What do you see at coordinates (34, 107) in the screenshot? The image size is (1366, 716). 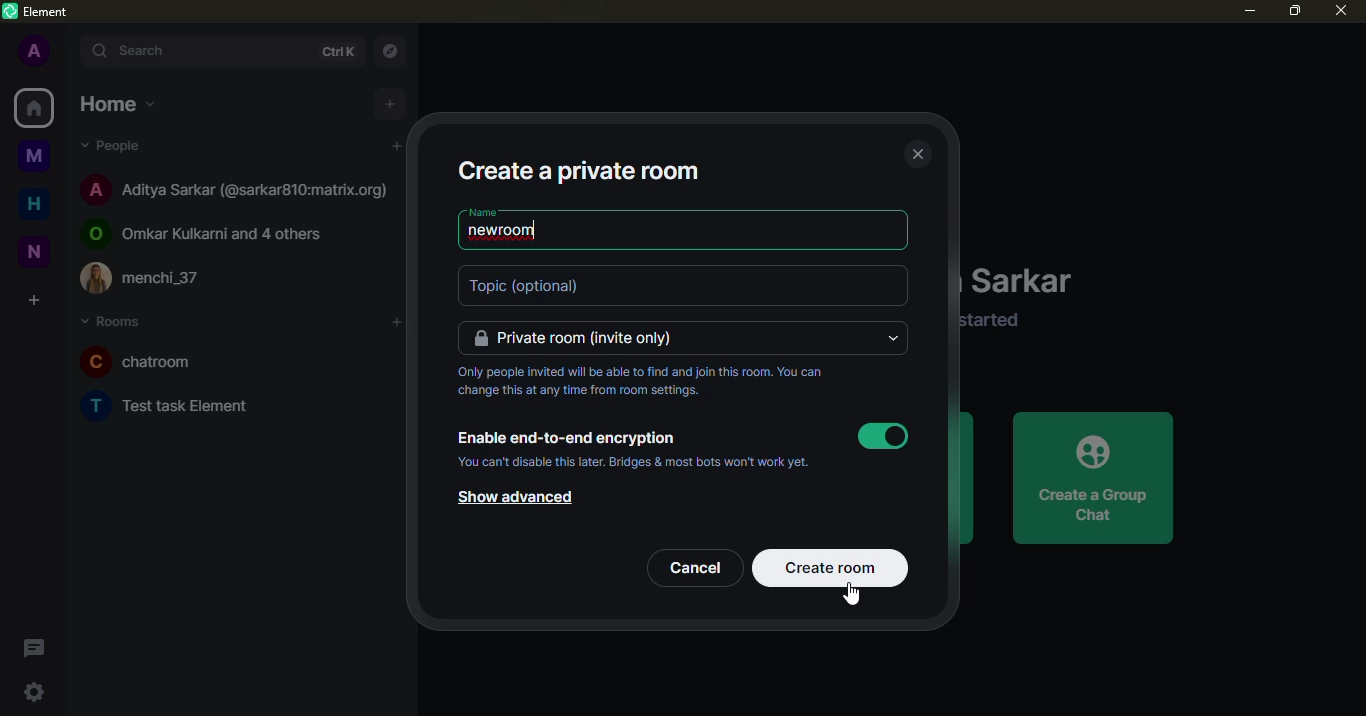 I see `home` at bounding box center [34, 107].